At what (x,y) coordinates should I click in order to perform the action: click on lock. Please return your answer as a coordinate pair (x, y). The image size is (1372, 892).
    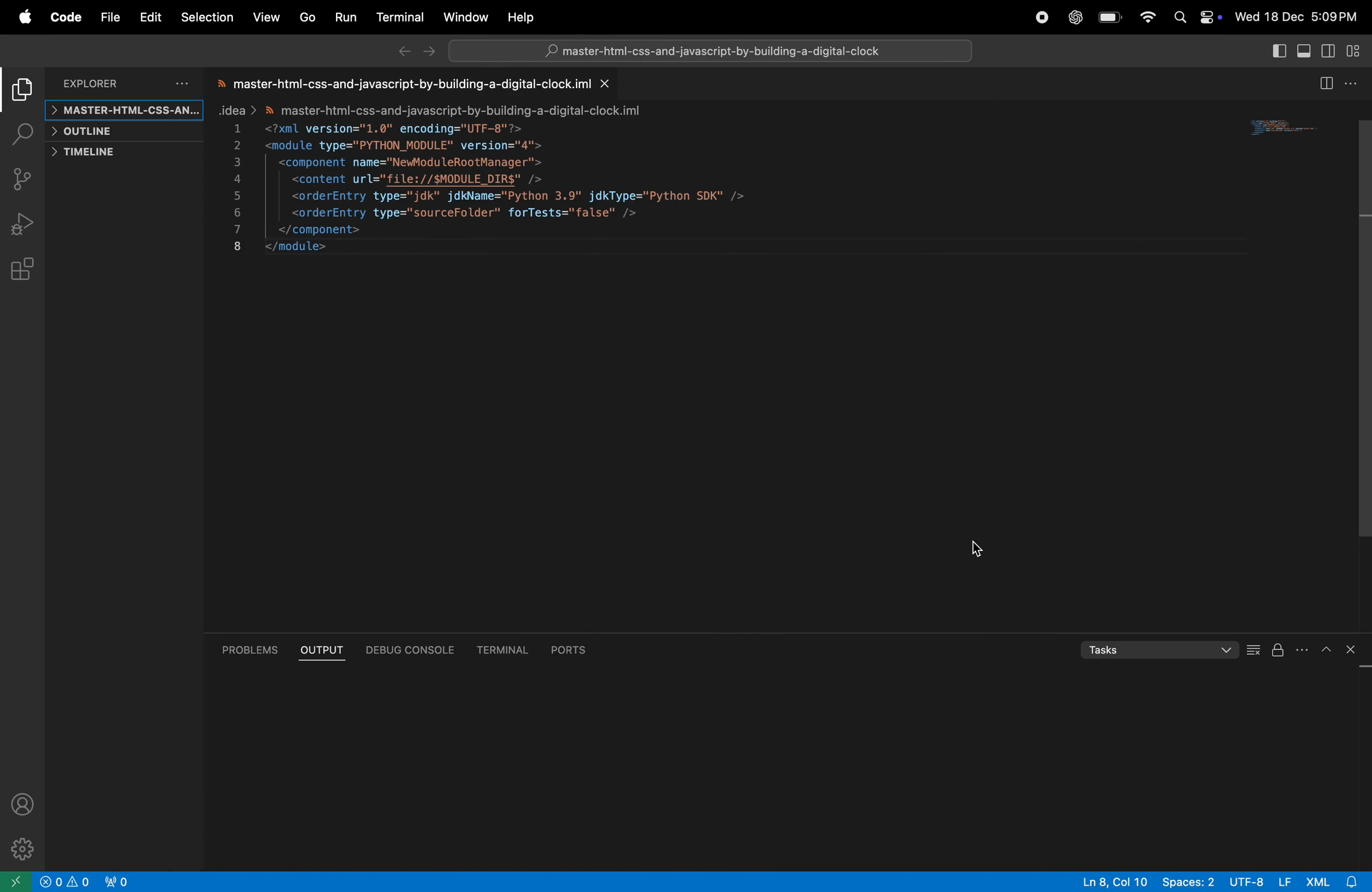
    Looking at the image, I should click on (1278, 651).